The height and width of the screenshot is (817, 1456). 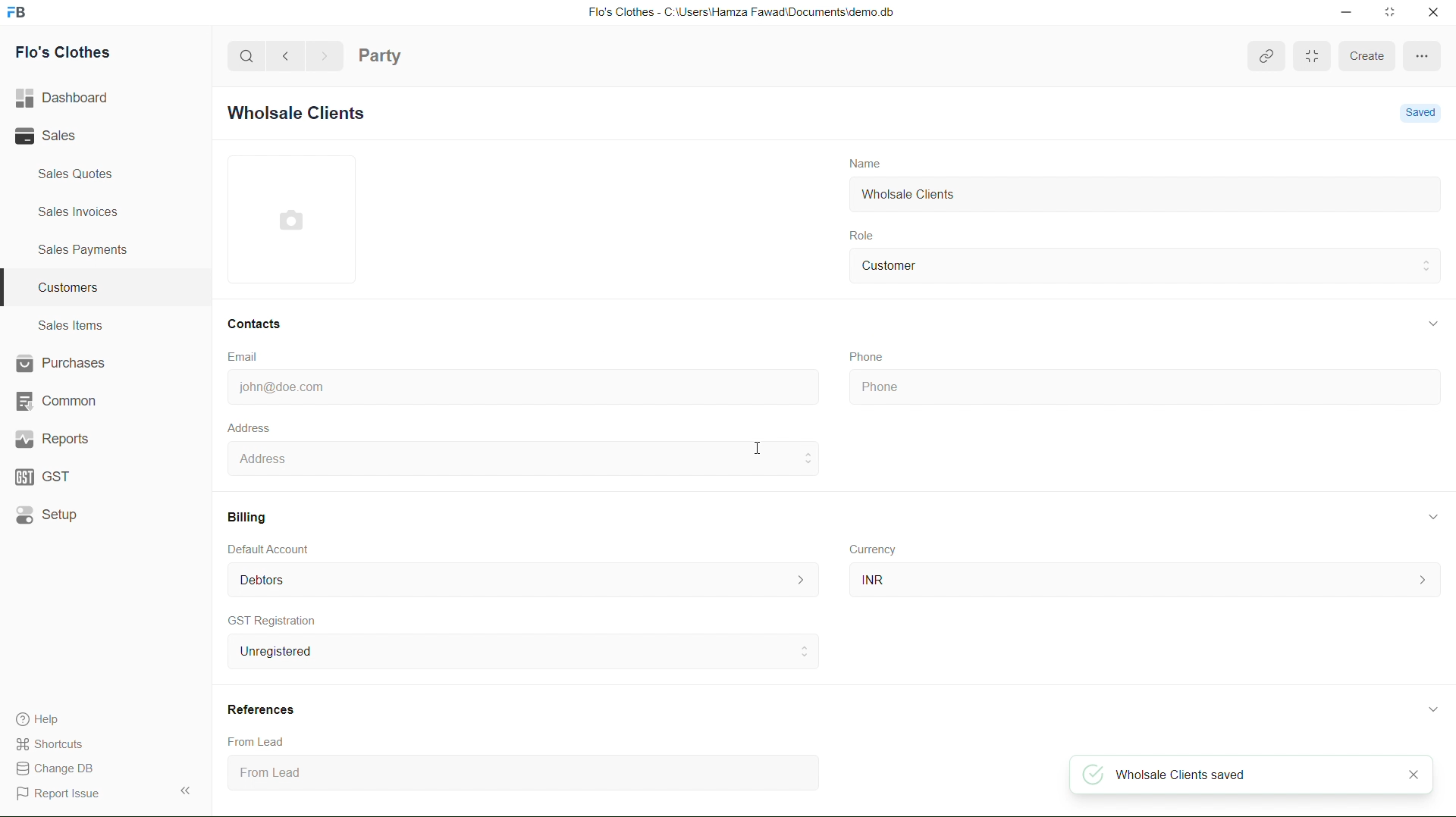 I want to click on Billing, so click(x=248, y=513).